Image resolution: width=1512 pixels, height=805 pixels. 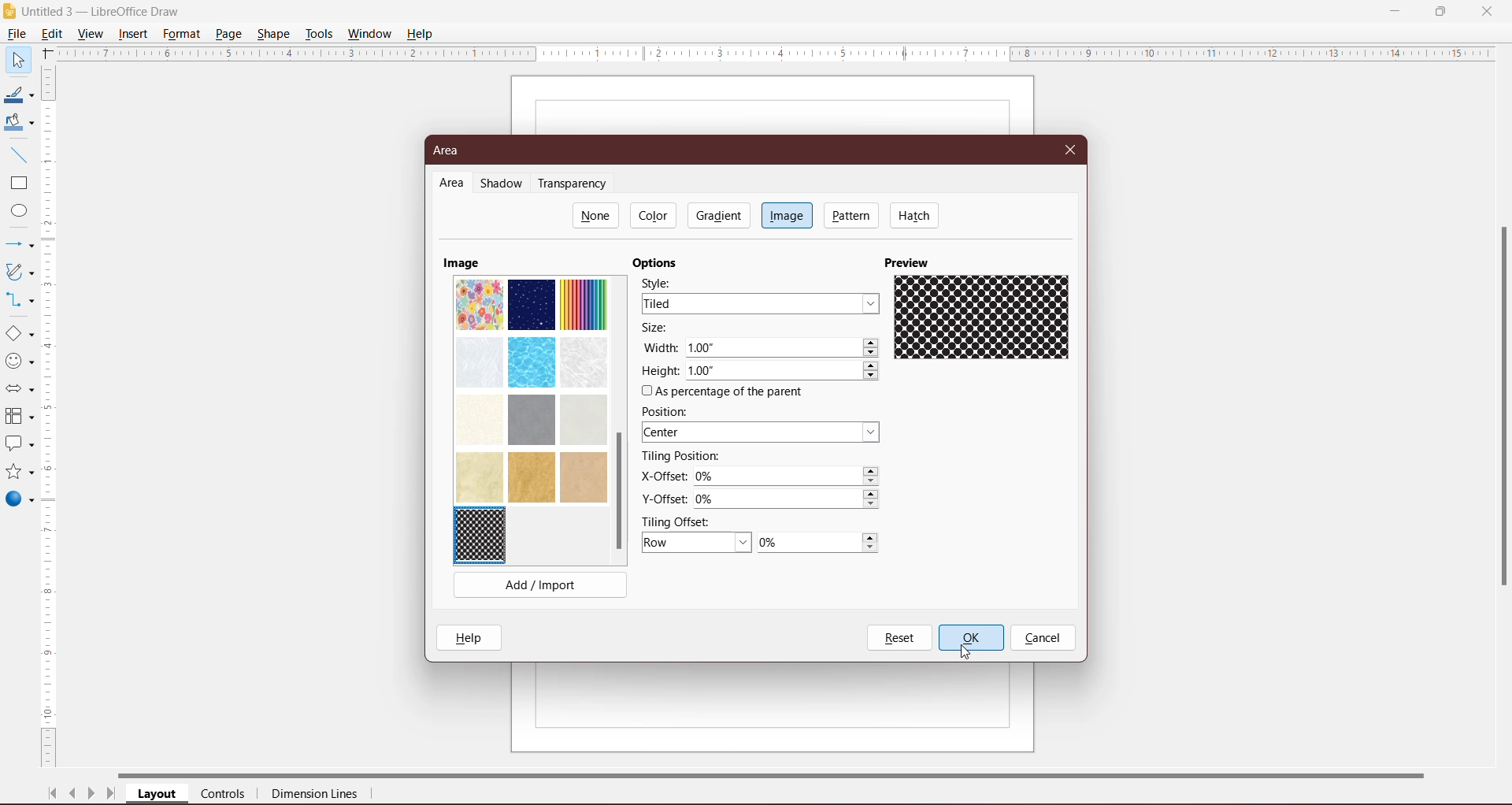 What do you see at coordinates (18, 301) in the screenshot?
I see `Connectors` at bounding box center [18, 301].